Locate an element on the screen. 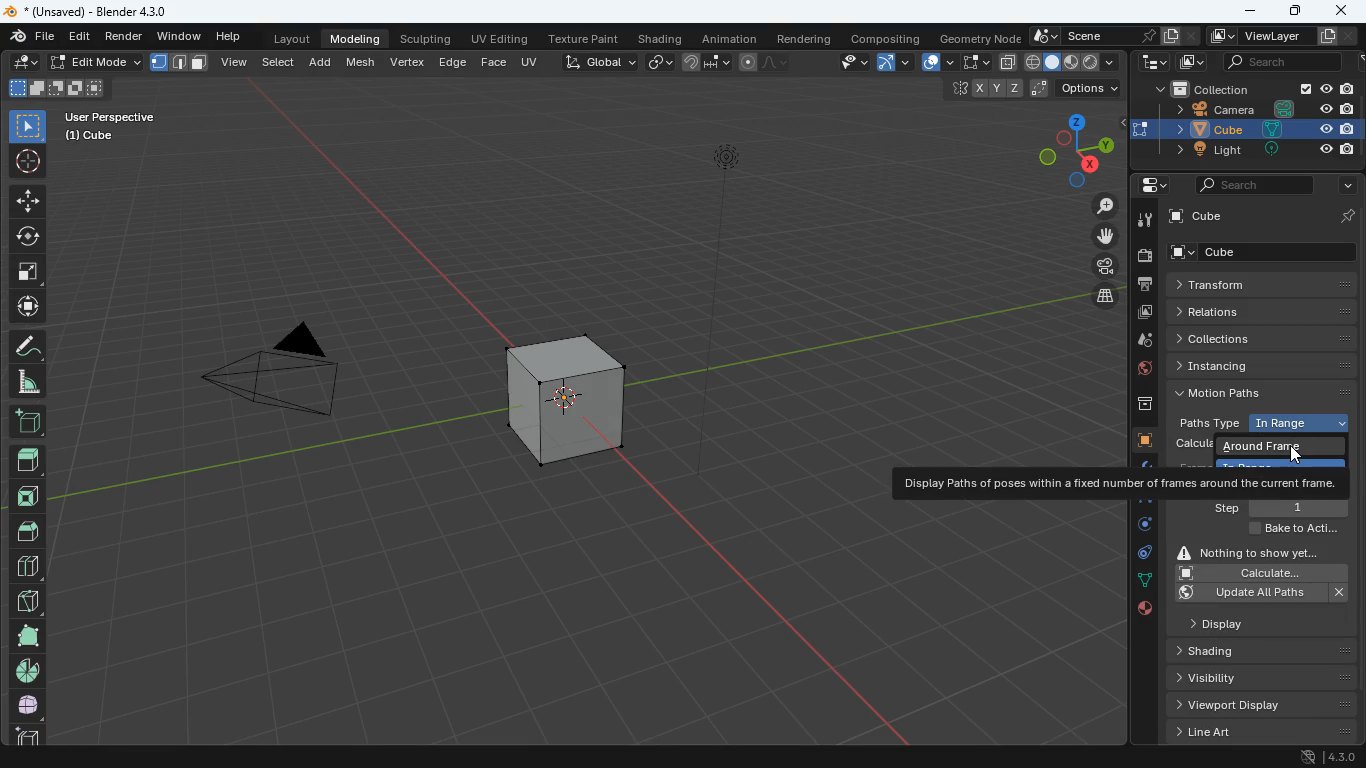 Image resolution: width=1366 pixels, height=768 pixels. roof is located at coordinates (30, 531).